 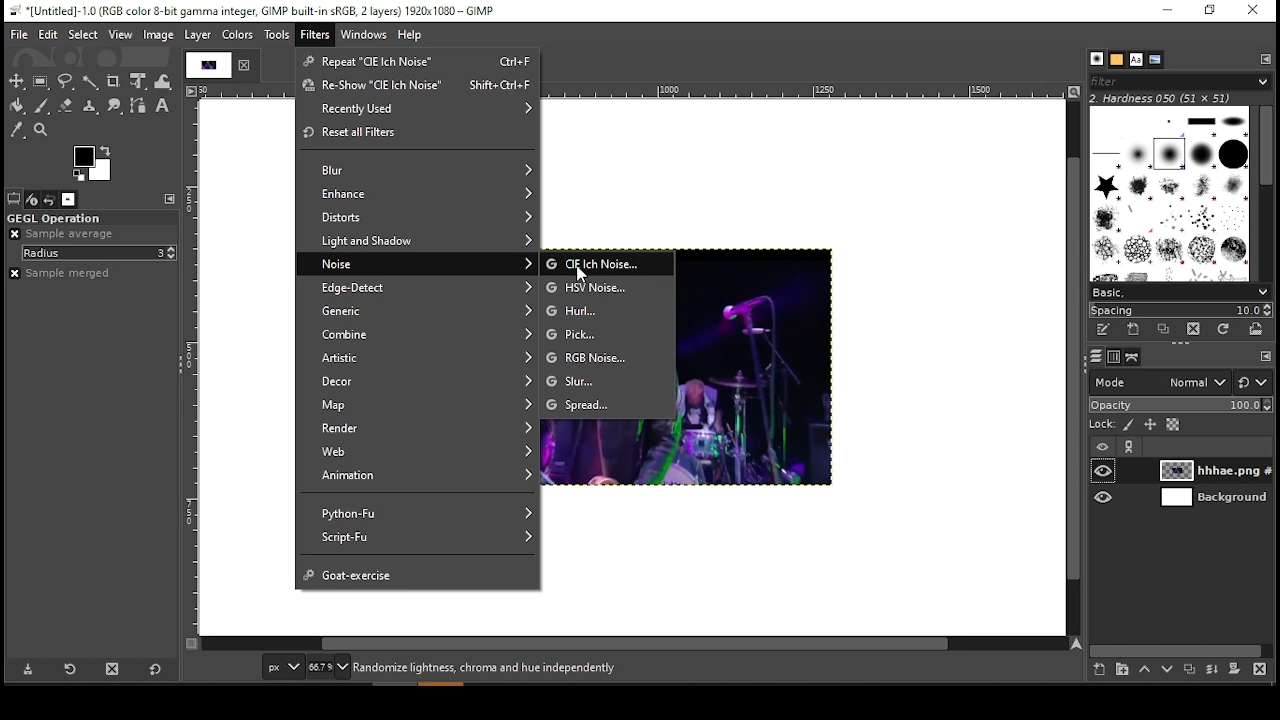 What do you see at coordinates (171, 200) in the screenshot?
I see `configure this tab` at bounding box center [171, 200].